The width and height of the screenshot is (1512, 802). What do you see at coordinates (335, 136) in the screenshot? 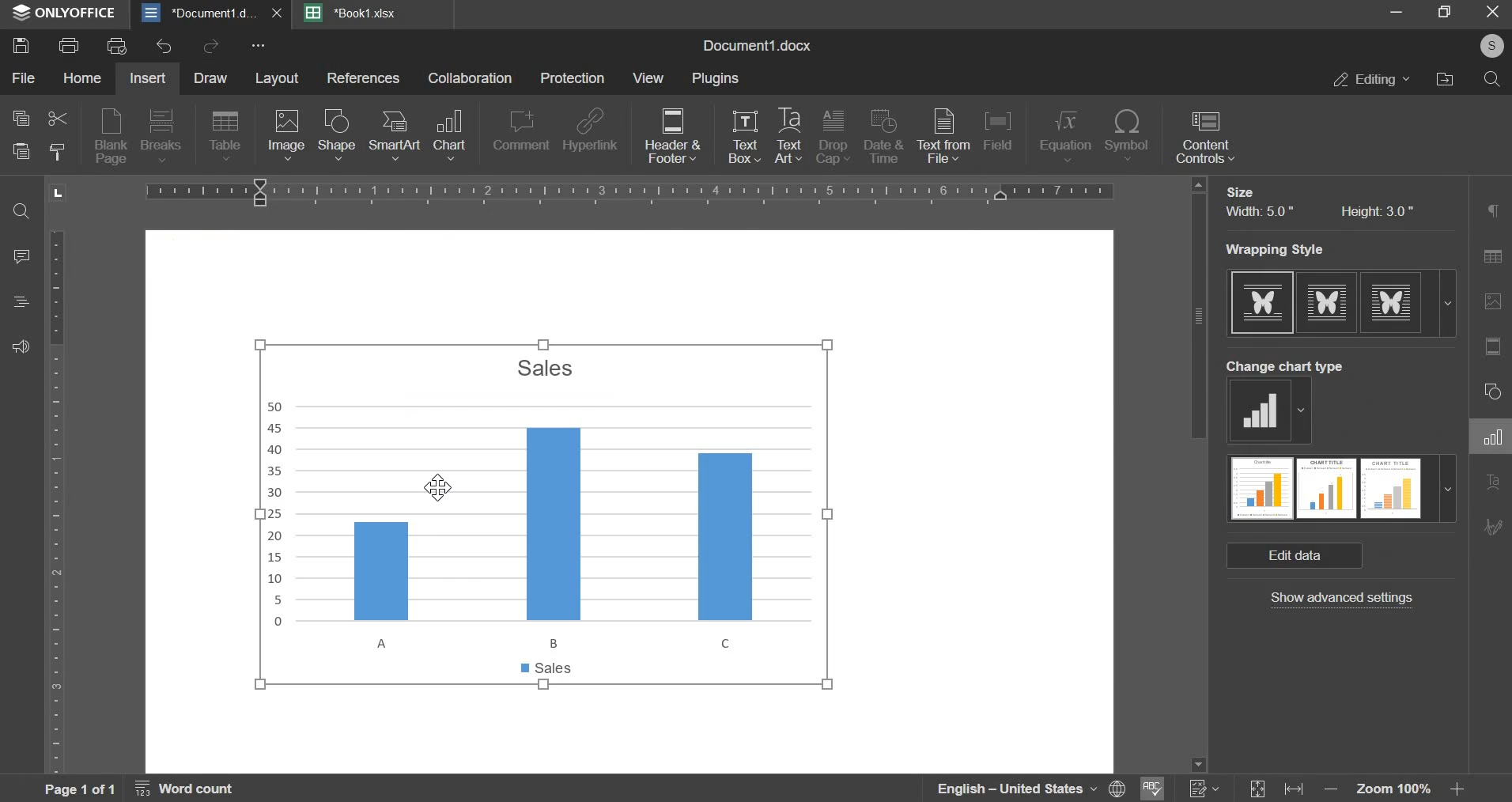
I see `shape` at bounding box center [335, 136].